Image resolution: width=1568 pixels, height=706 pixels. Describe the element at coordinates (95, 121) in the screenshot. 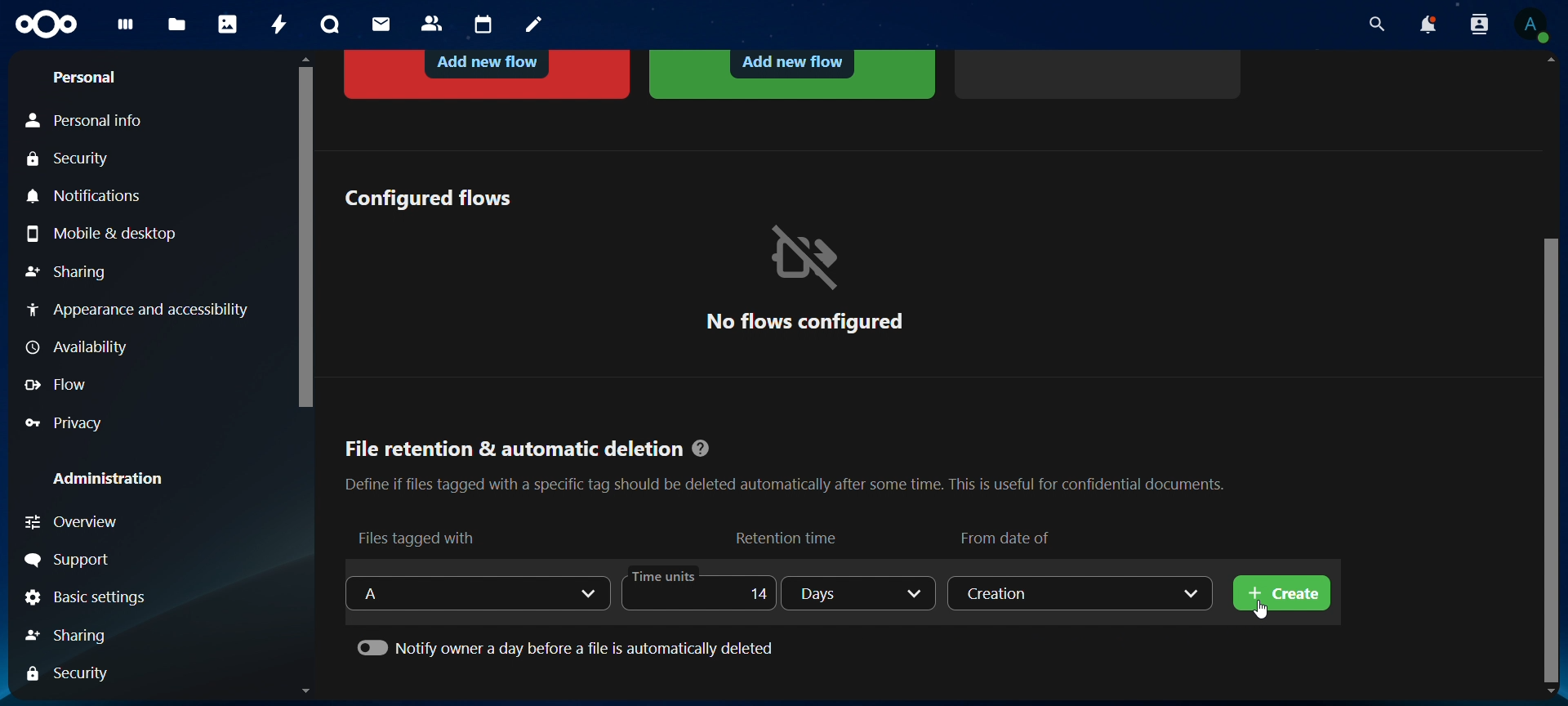

I see `personal info` at that location.